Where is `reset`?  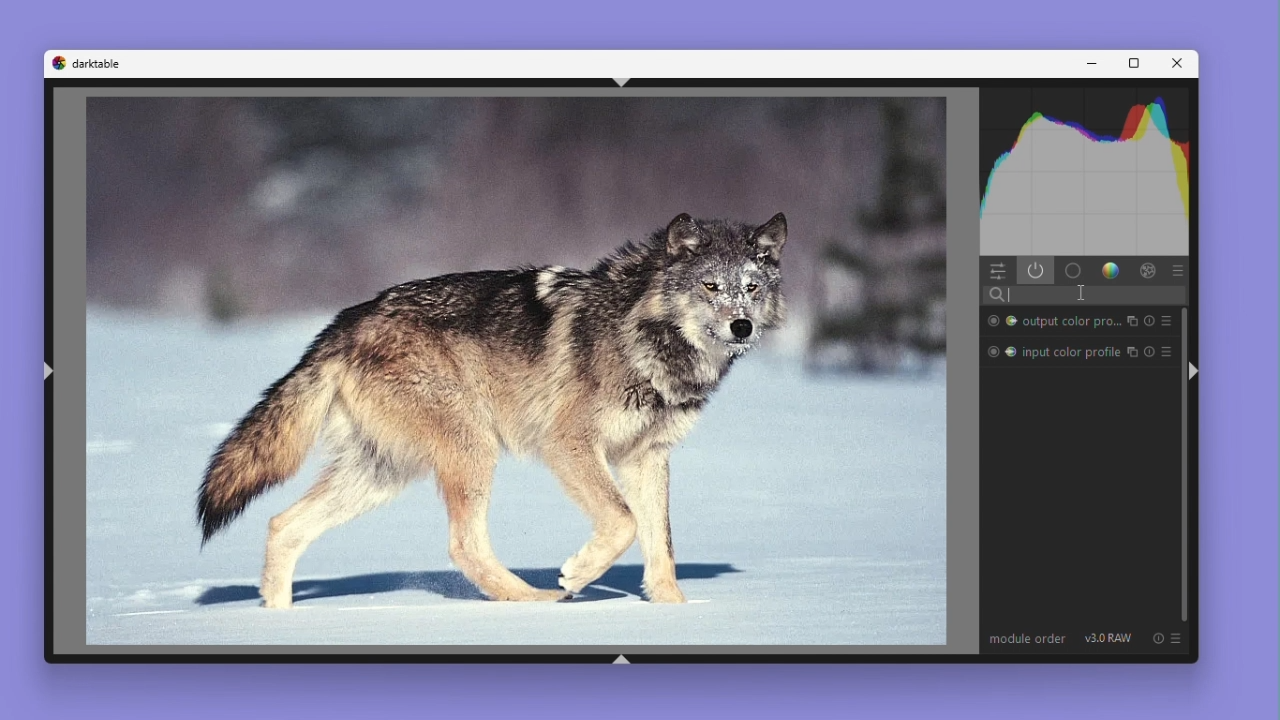 reset is located at coordinates (1148, 321).